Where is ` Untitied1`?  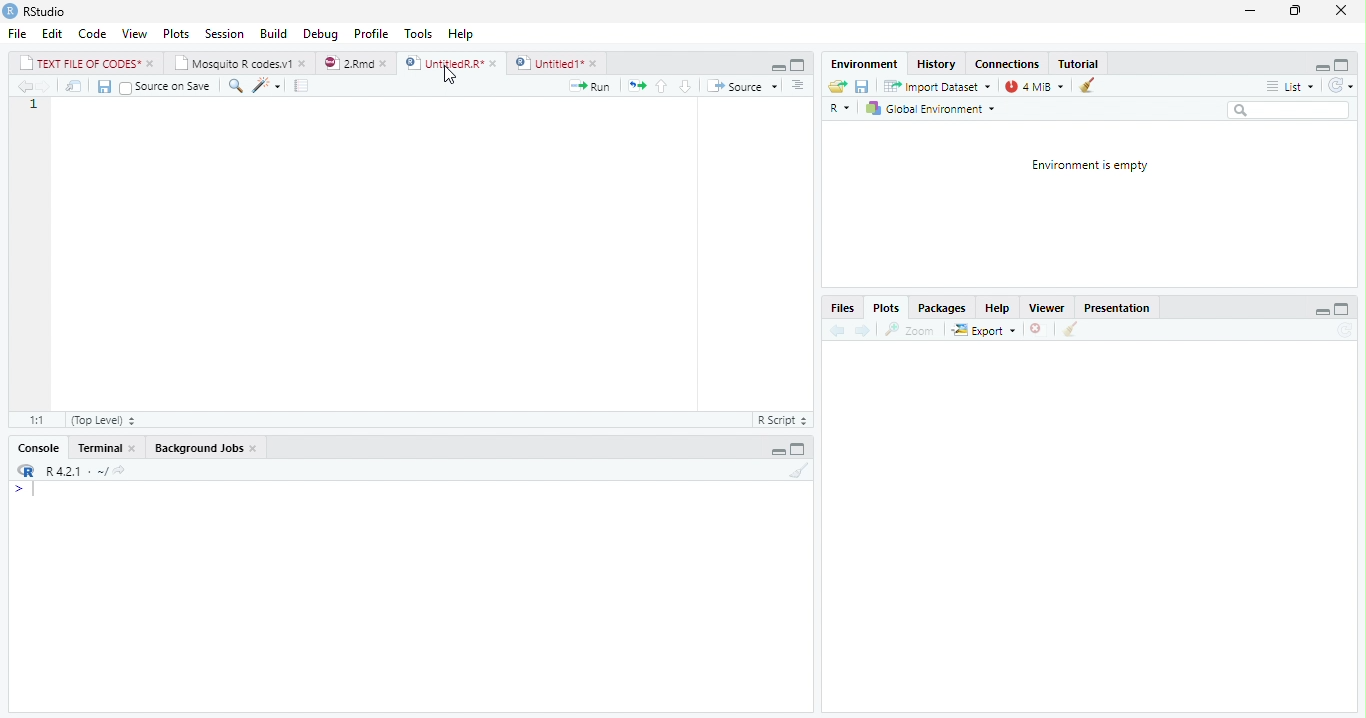
 Untitied1 is located at coordinates (557, 63).